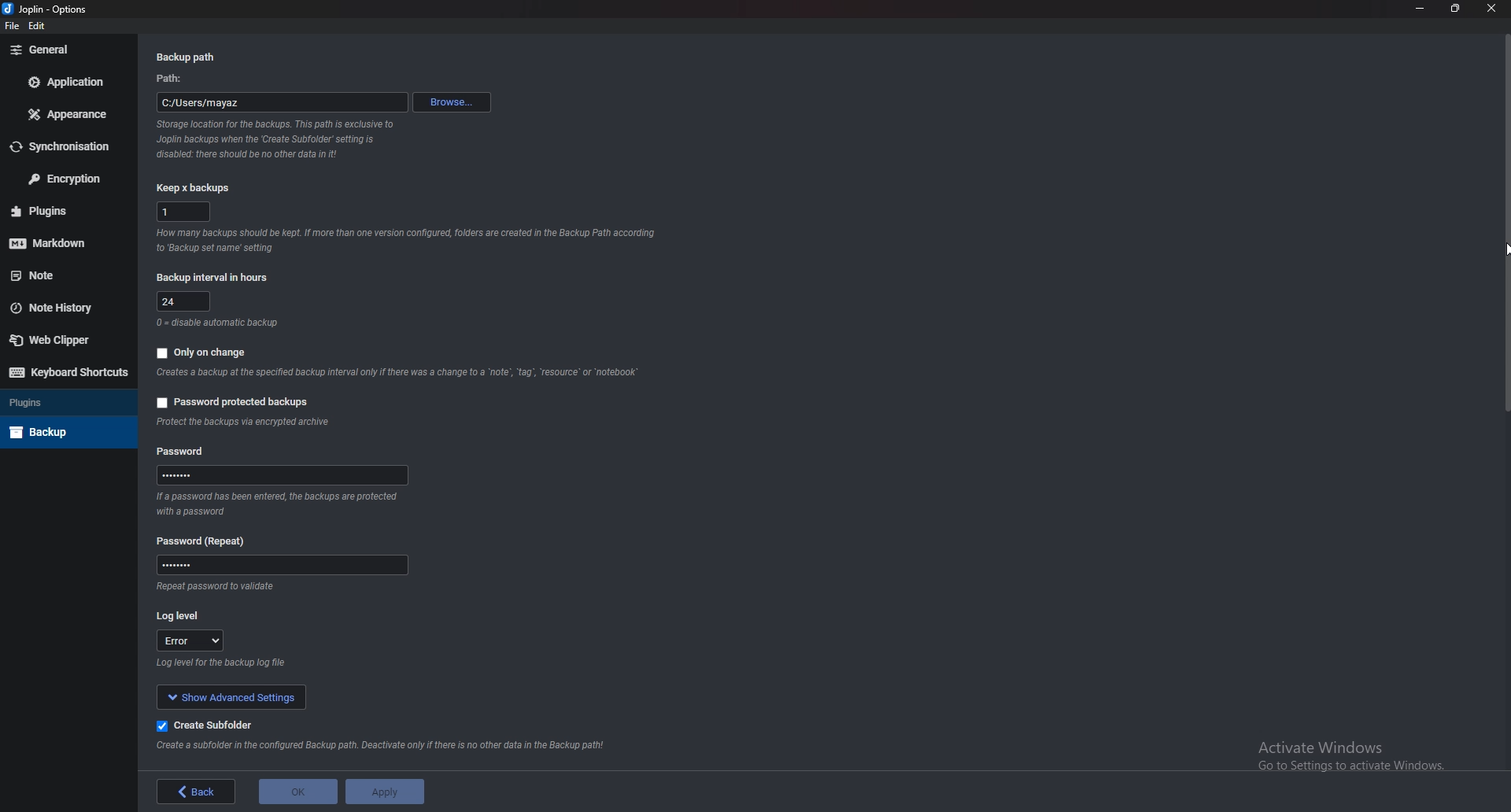  Describe the element at coordinates (1497, 250) in the screenshot. I see `cursor` at that location.